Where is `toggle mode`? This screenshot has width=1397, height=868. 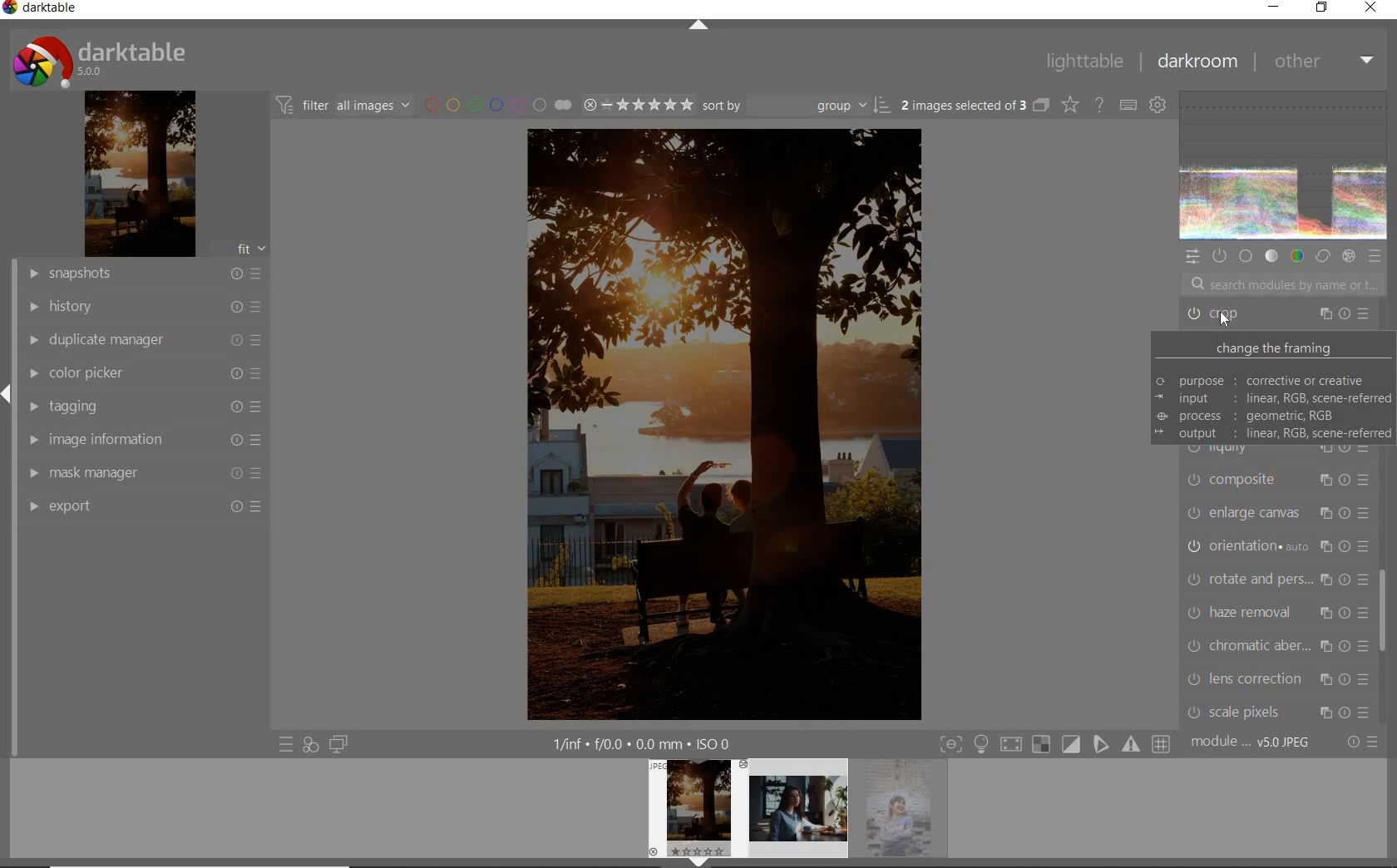 toggle mode is located at coordinates (1055, 743).